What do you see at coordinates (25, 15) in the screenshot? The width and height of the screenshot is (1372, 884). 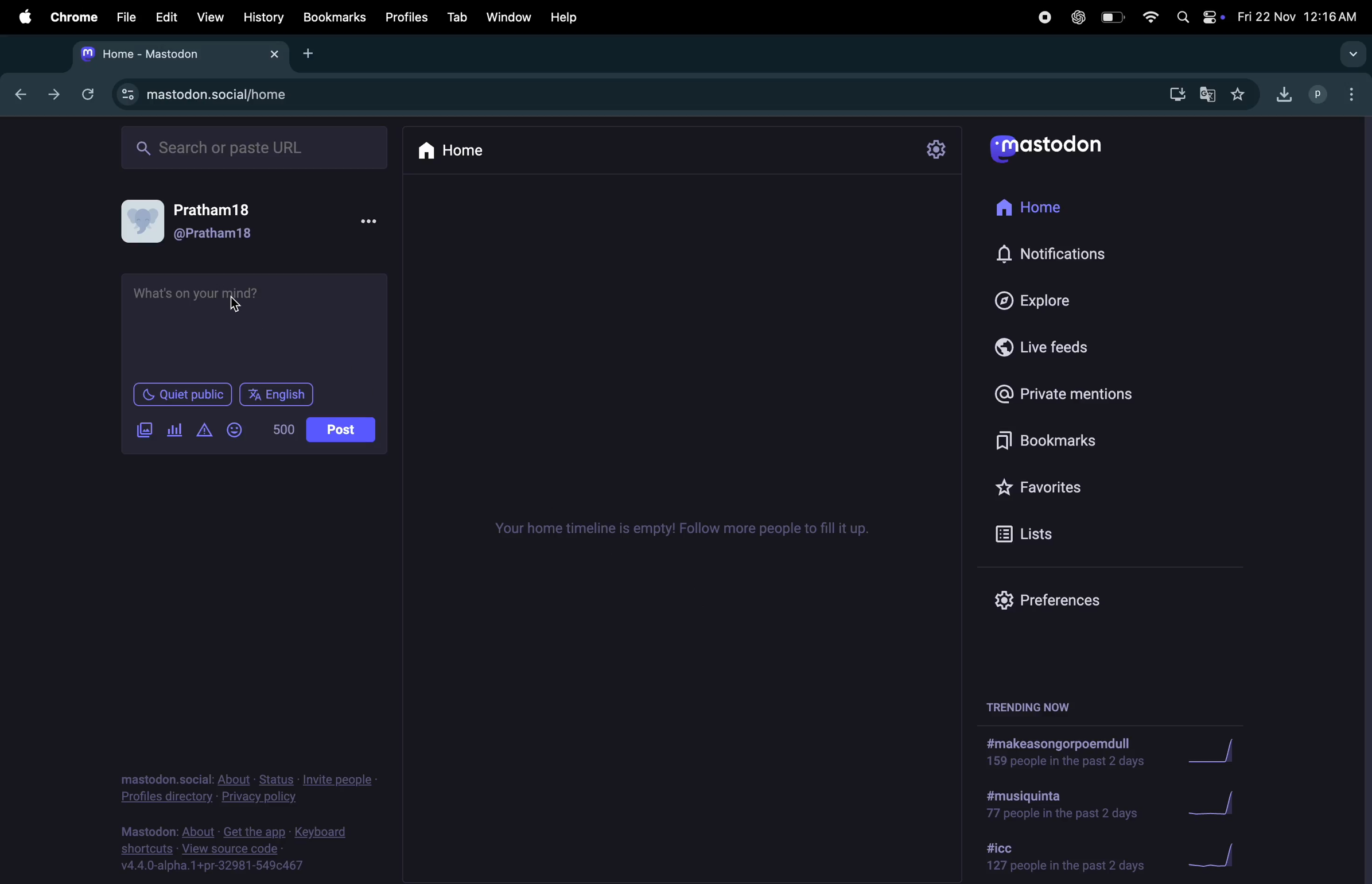 I see `apple menu` at bounding box center [25, 15].